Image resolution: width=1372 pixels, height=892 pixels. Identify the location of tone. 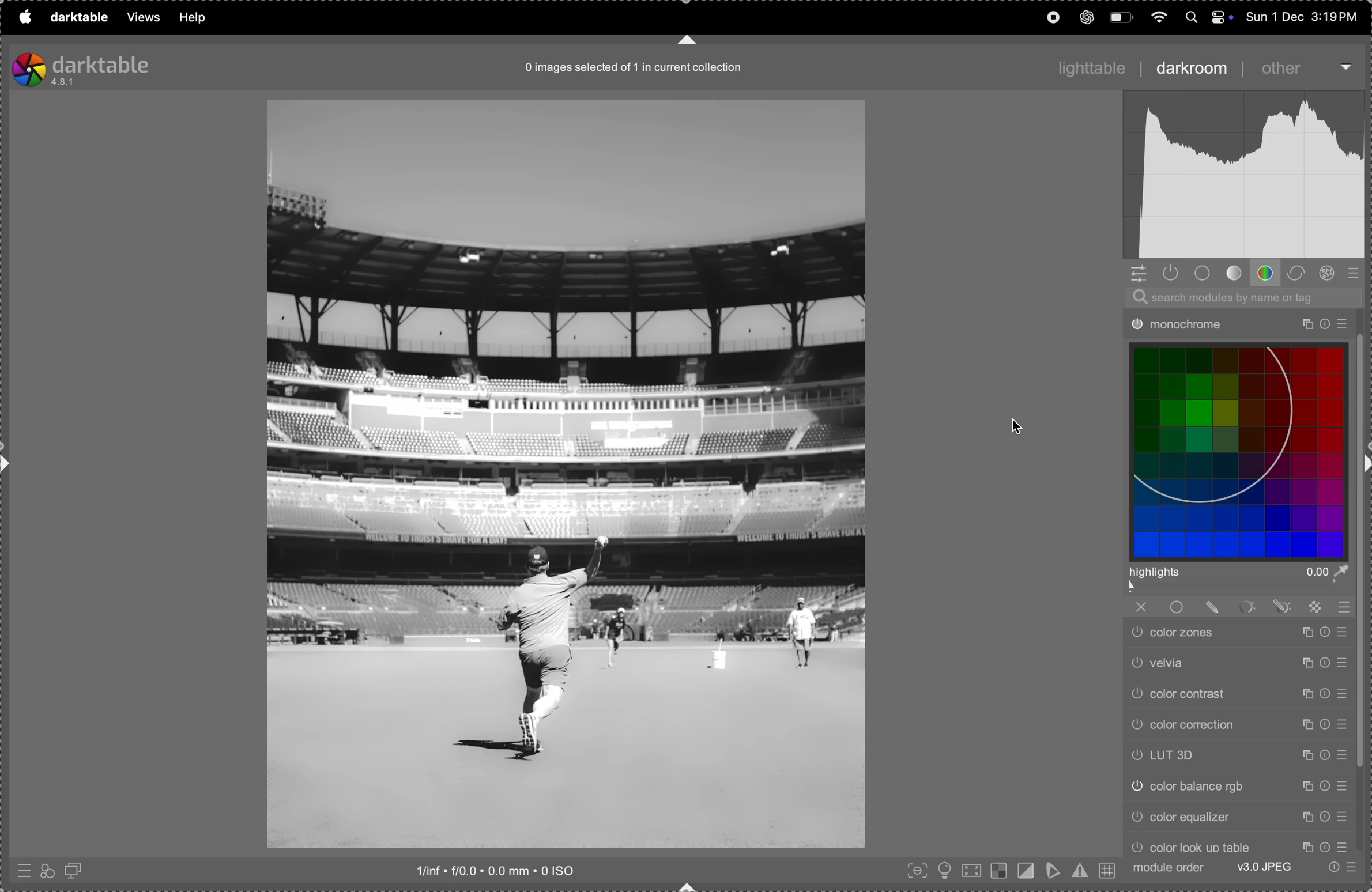
(1236, 273).